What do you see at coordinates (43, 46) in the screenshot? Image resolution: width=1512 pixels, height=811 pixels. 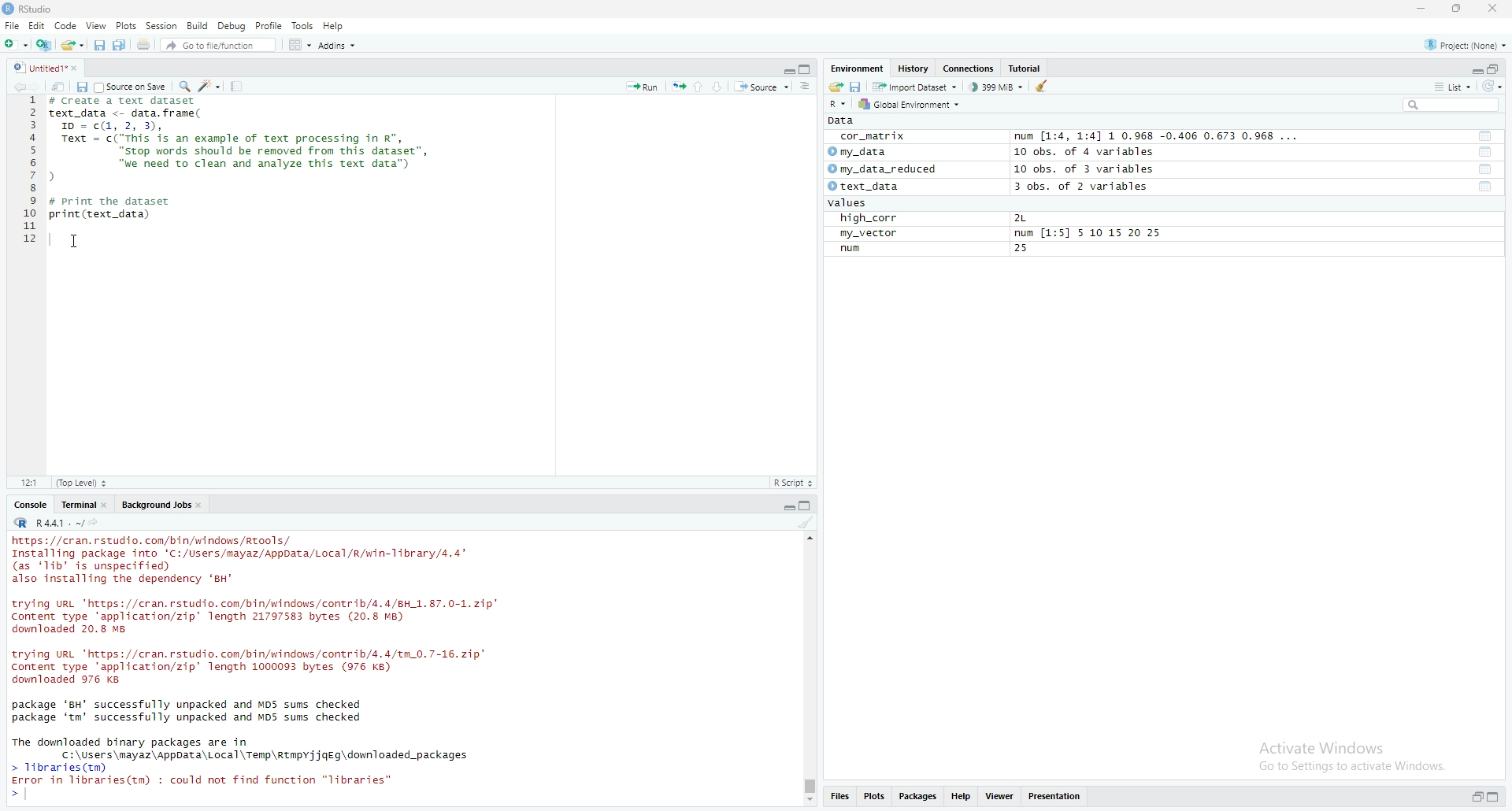 I see `create a project` at bounding box center [43, 46].